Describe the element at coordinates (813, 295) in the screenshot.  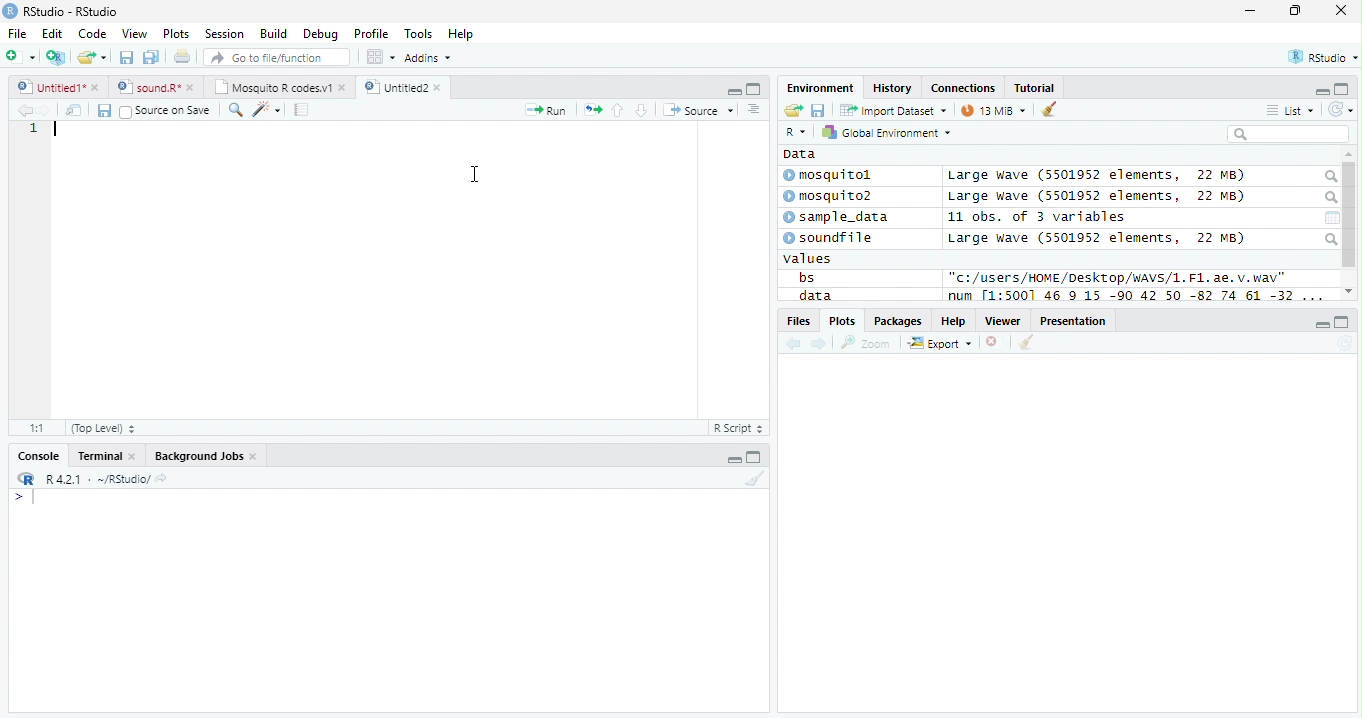
I see `data` at that location.